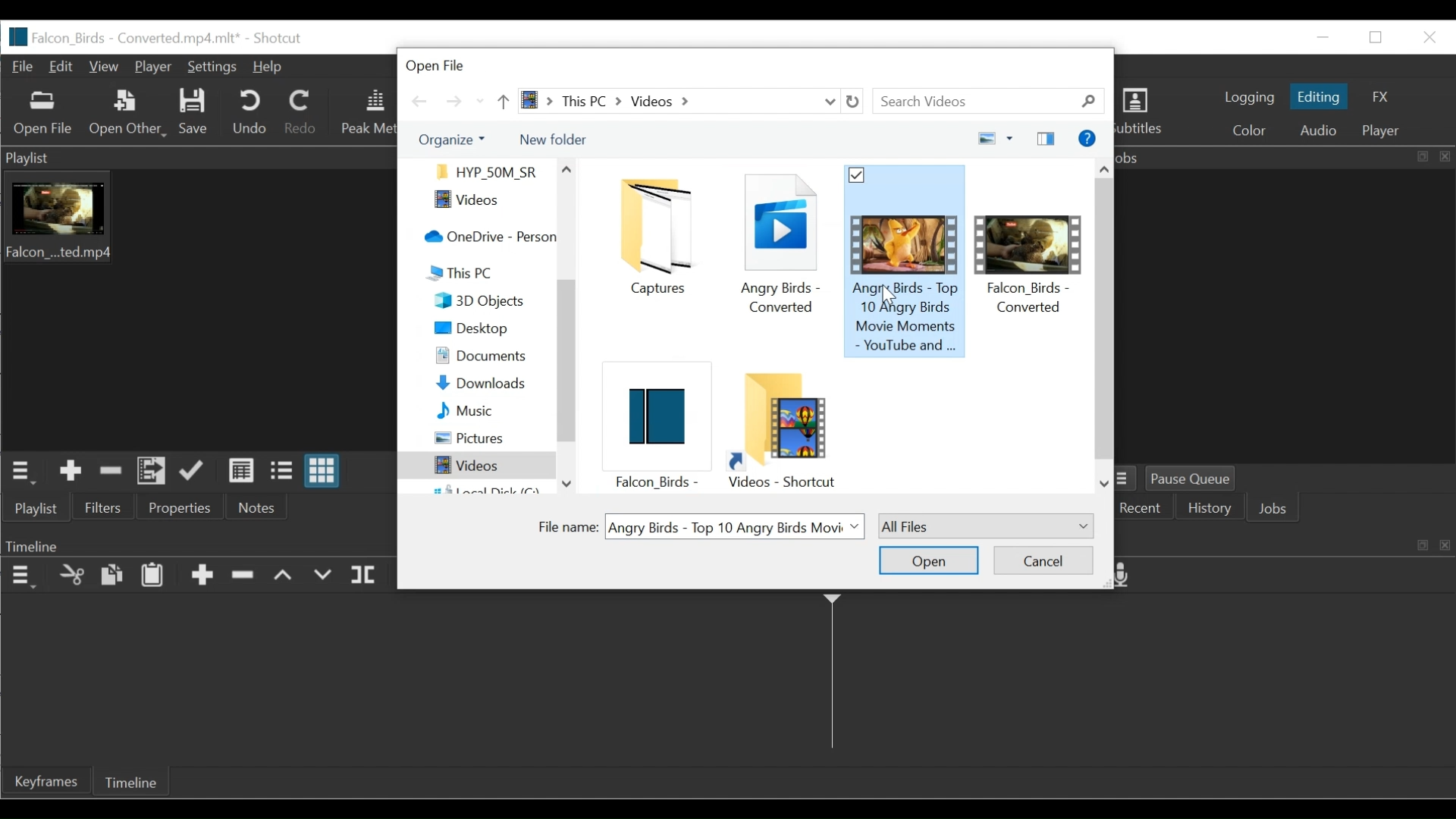 The height and width of the screenshot is (819, 1456). What do you see at coordinates (102, 506) in the screenshot?
I see `Filters` at bounding box center [102, 506].